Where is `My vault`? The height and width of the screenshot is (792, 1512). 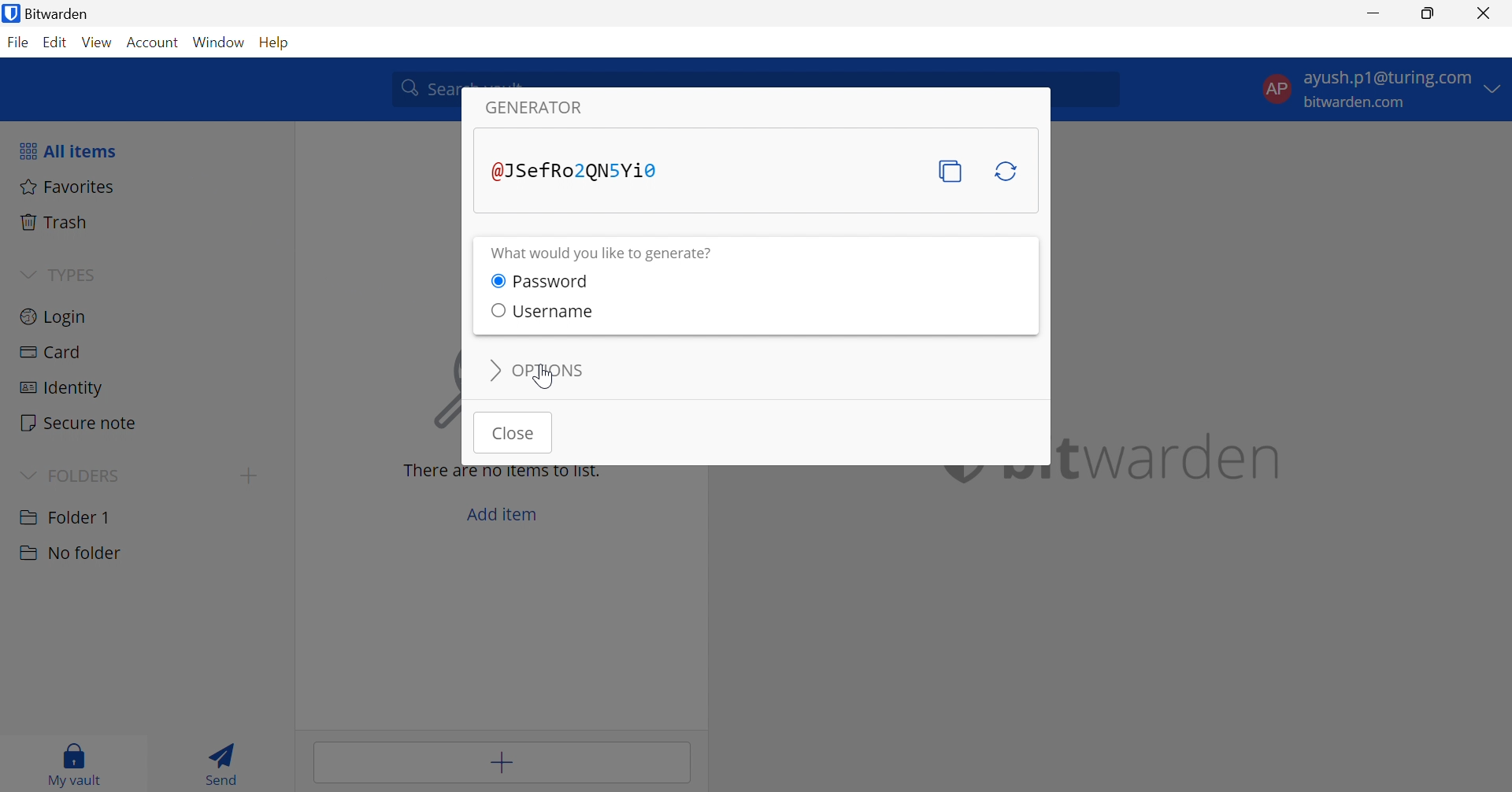 My vault is located at coordinates (80, 764).